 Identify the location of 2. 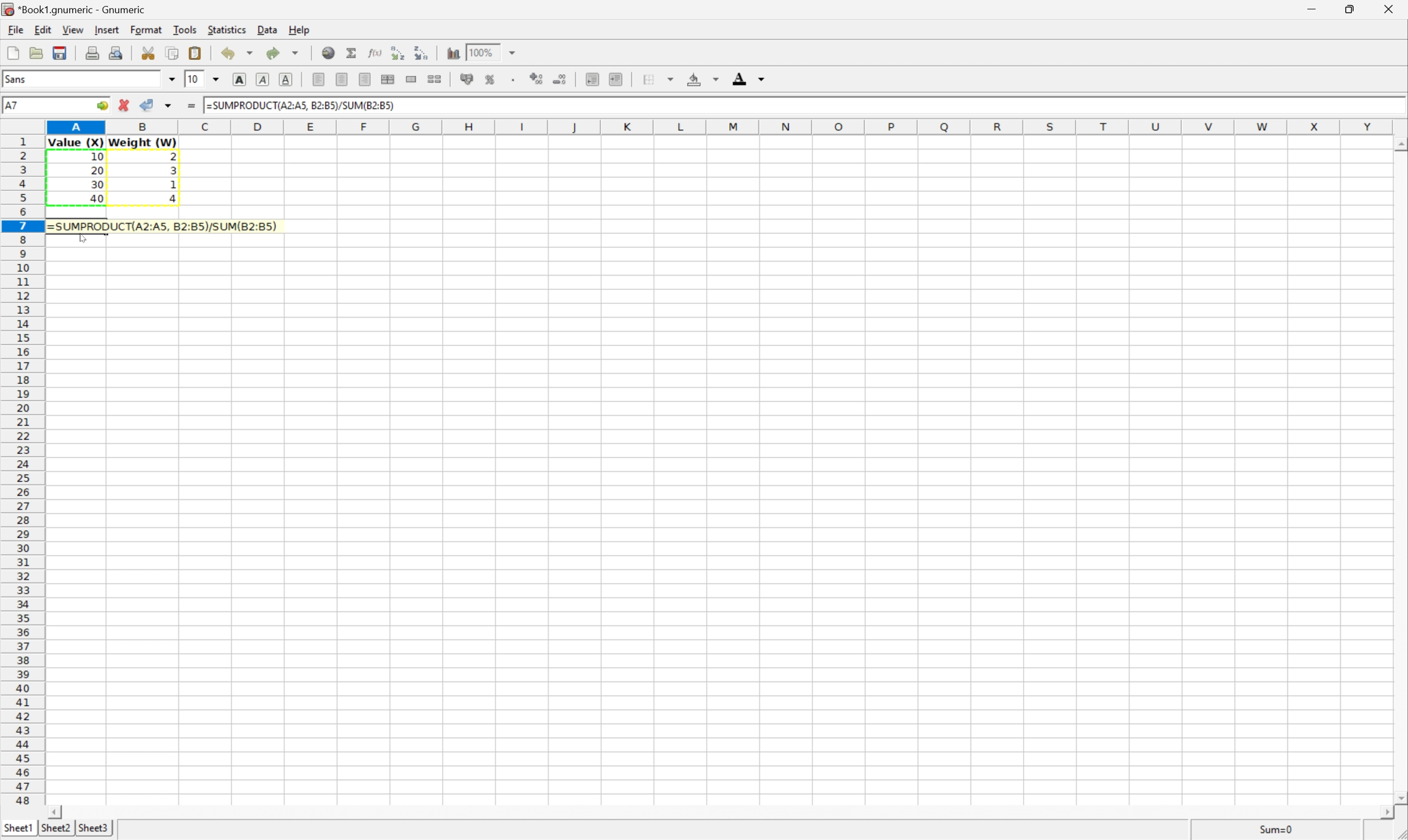
(177, 156).